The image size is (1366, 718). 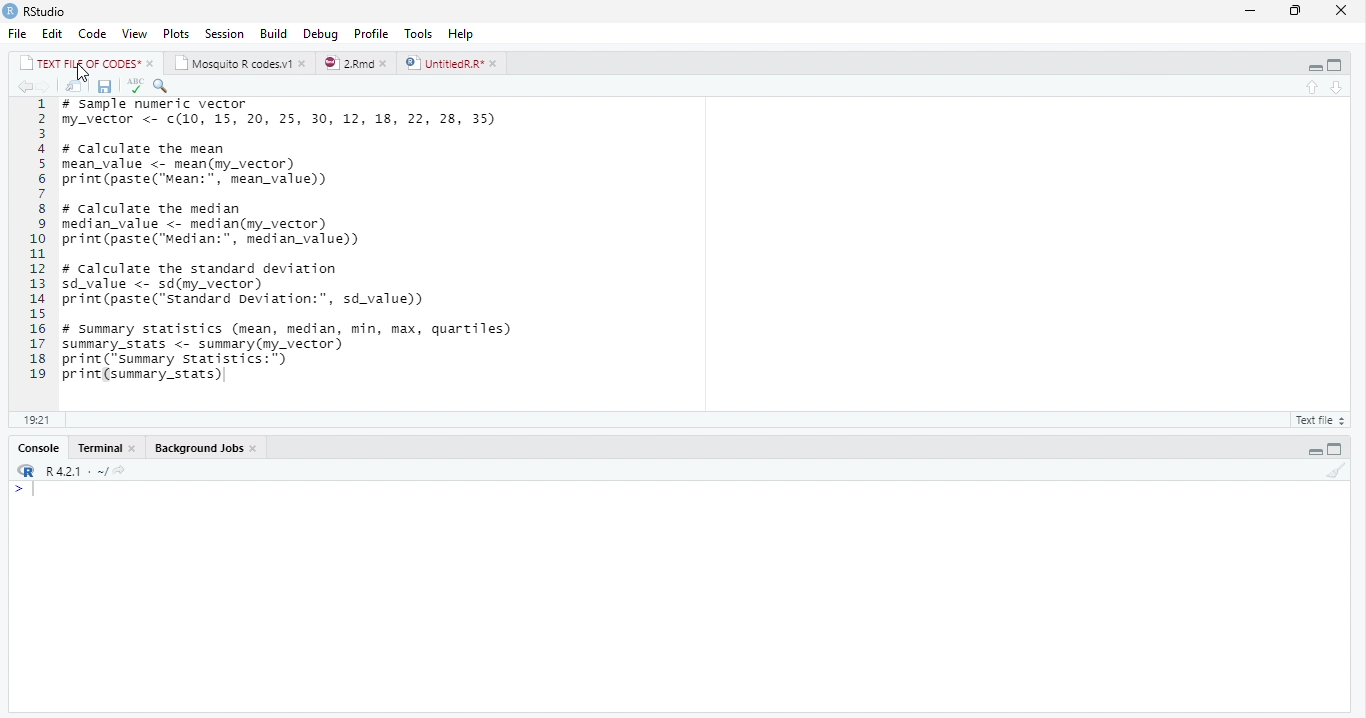 I want to click on icon, so click(x=24, y=472).